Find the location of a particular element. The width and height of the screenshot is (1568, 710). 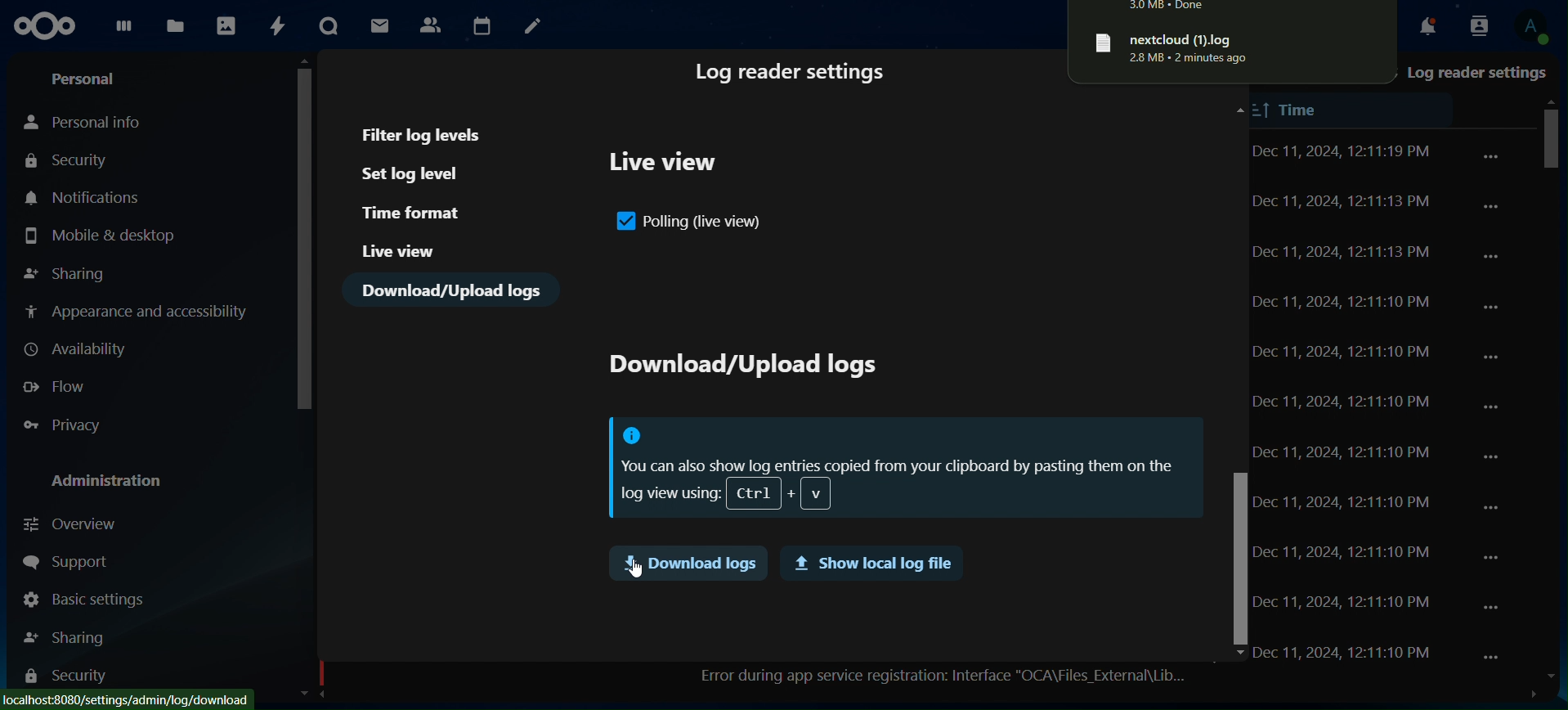

talk is located at coordinates (329, 25).